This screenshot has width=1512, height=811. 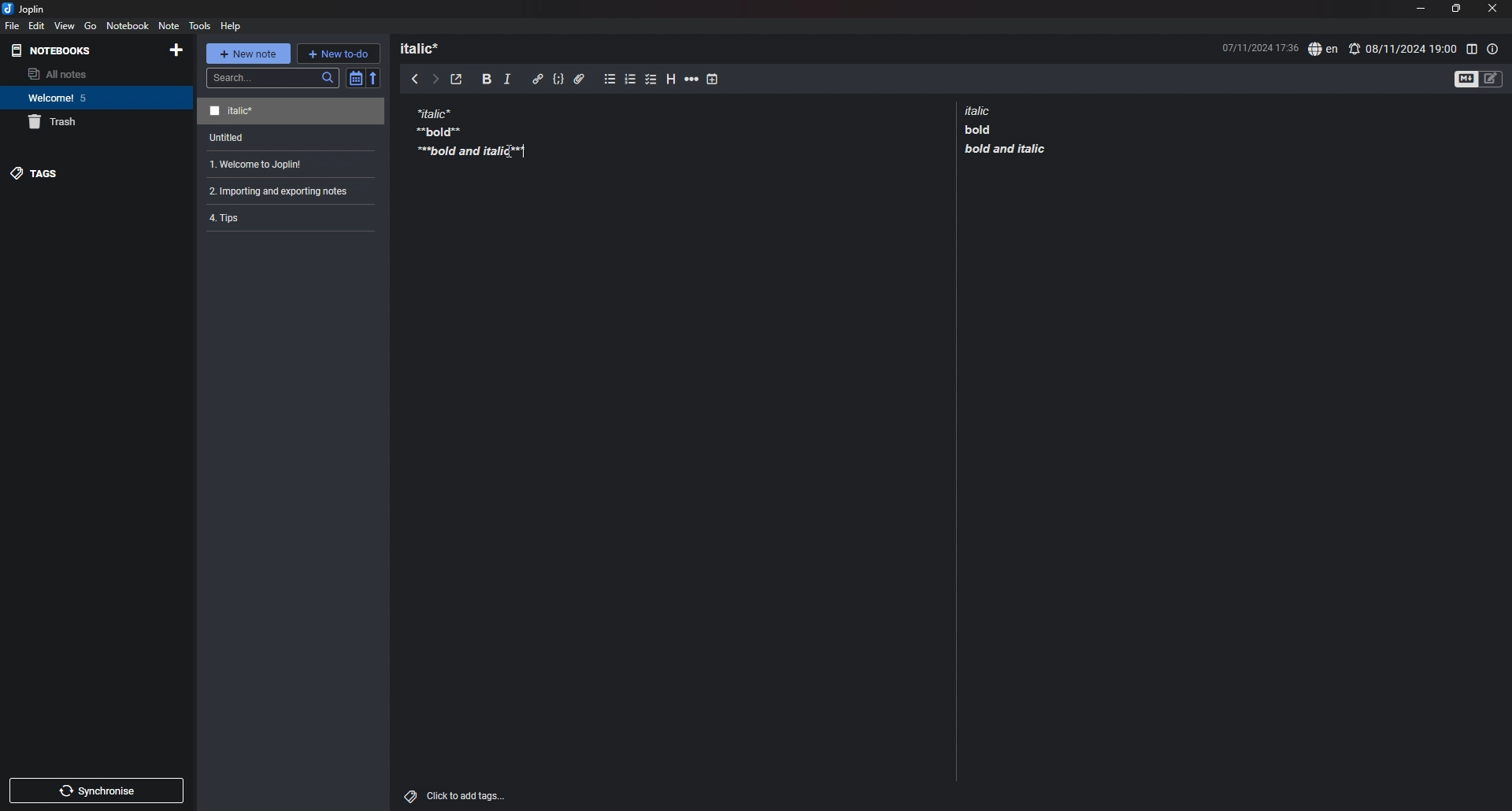 I want to click on code, so click(x=558, y=80).